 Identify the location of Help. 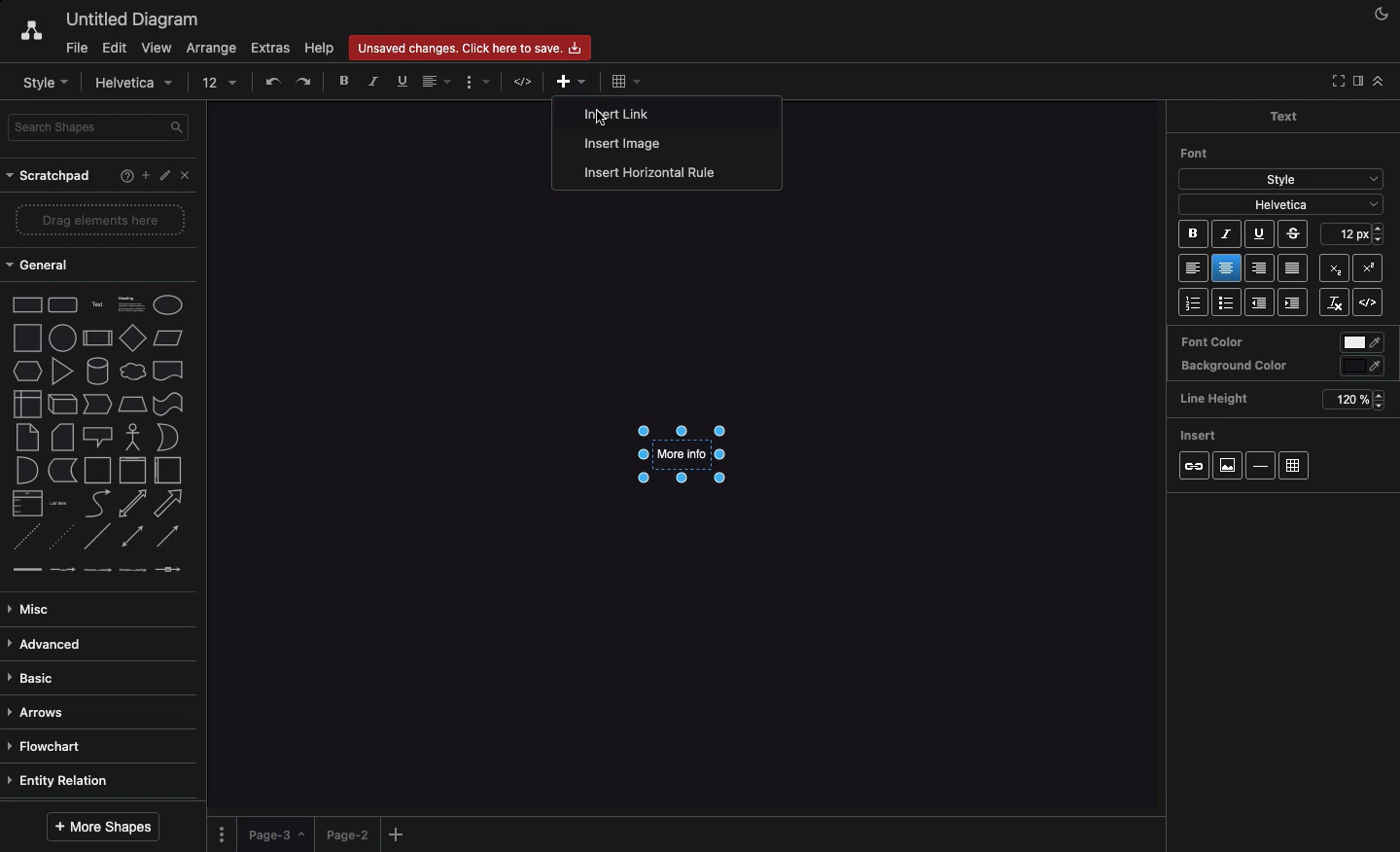
(318, 48).